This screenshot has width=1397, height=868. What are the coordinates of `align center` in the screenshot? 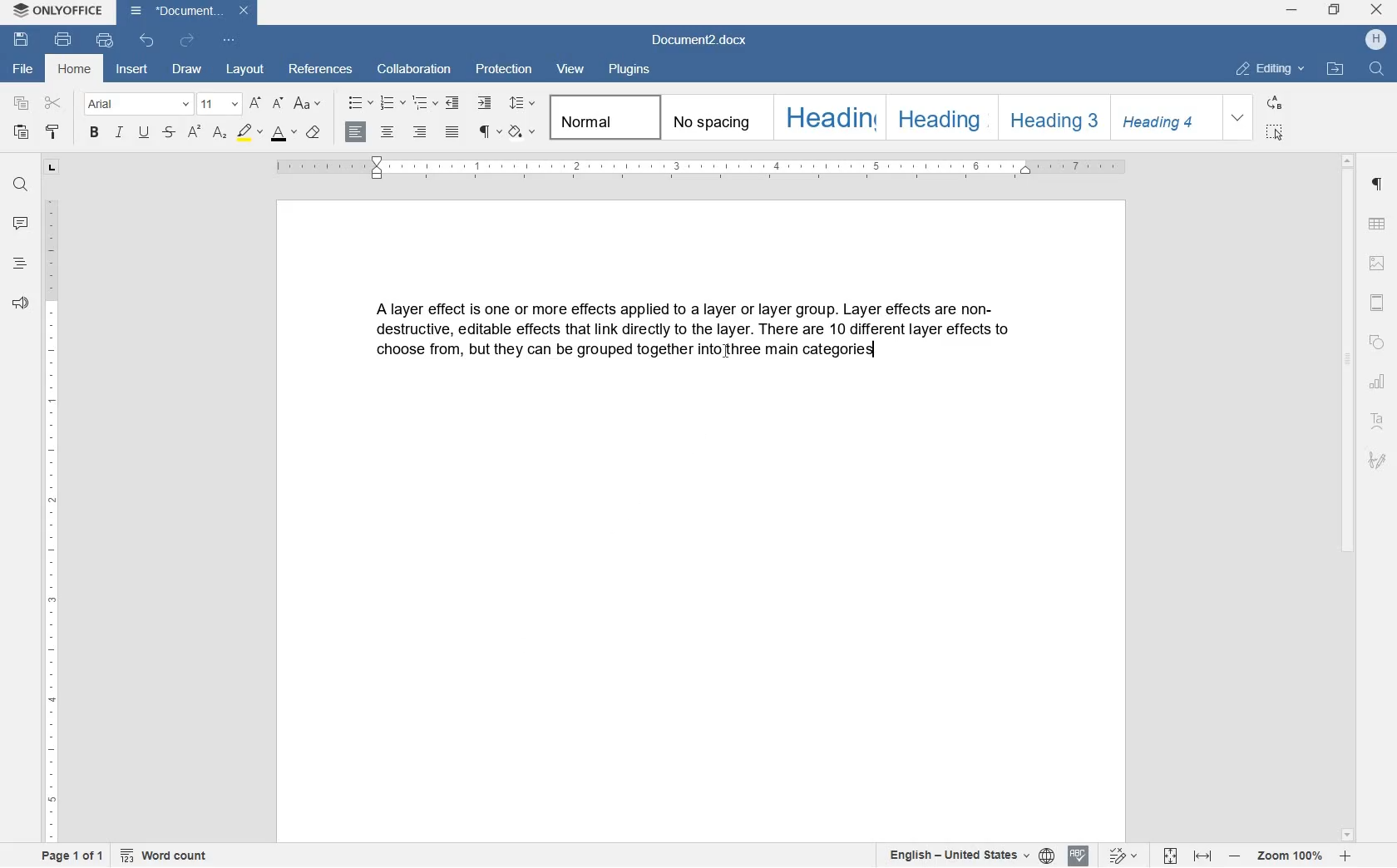 It's located at (388, 136).